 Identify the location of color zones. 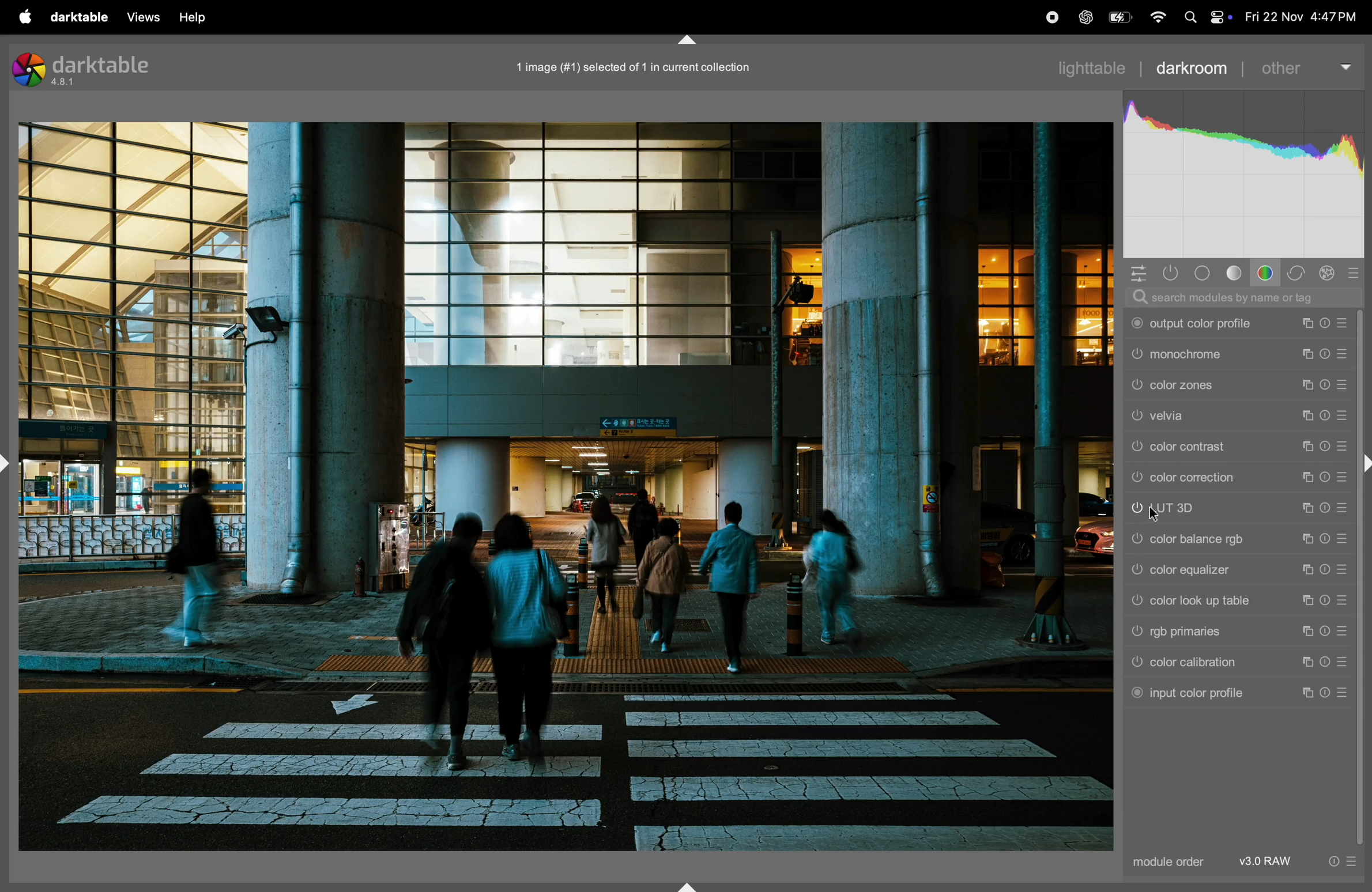
(1222, 386).